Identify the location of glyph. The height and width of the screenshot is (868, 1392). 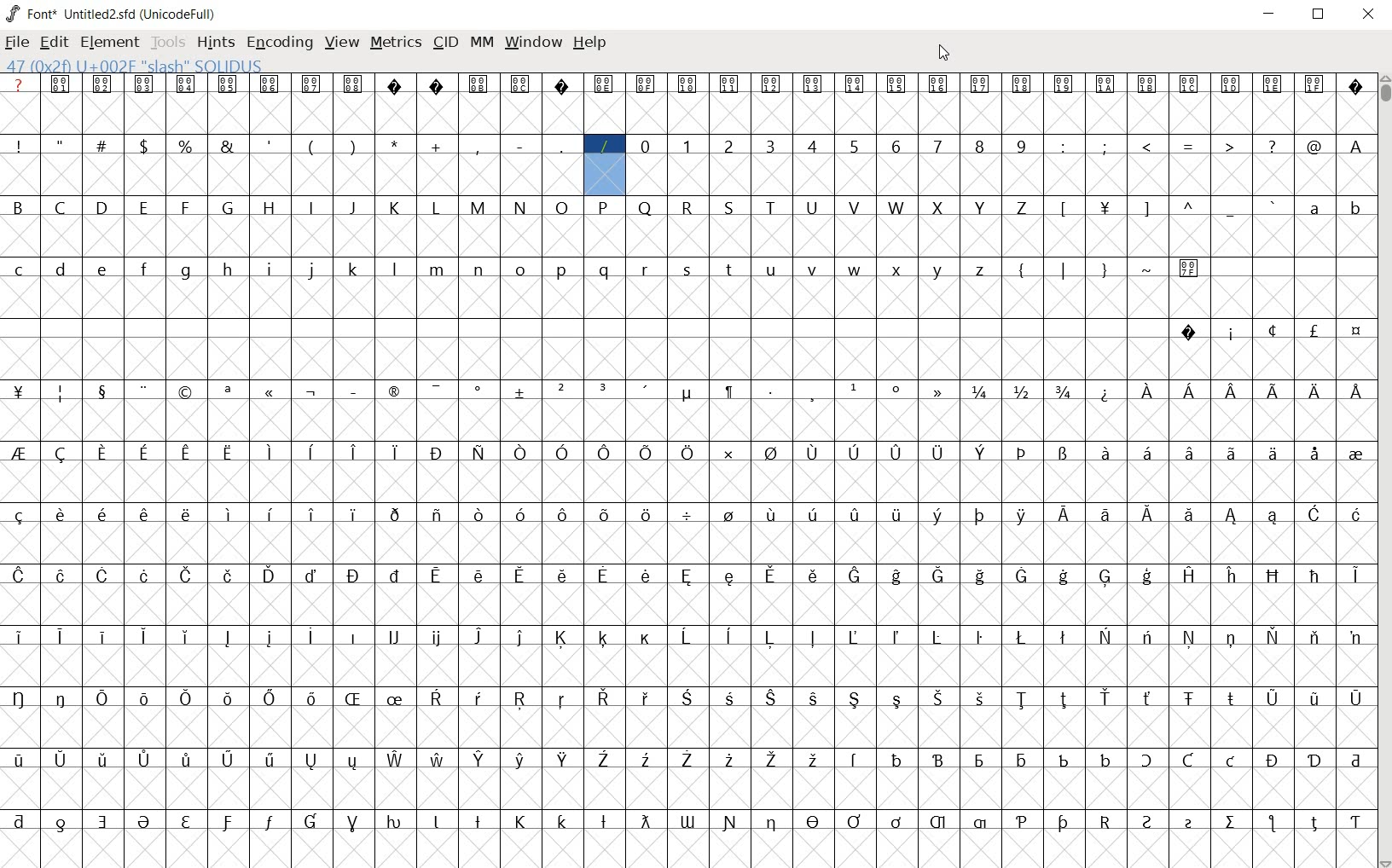
(1314, 330).